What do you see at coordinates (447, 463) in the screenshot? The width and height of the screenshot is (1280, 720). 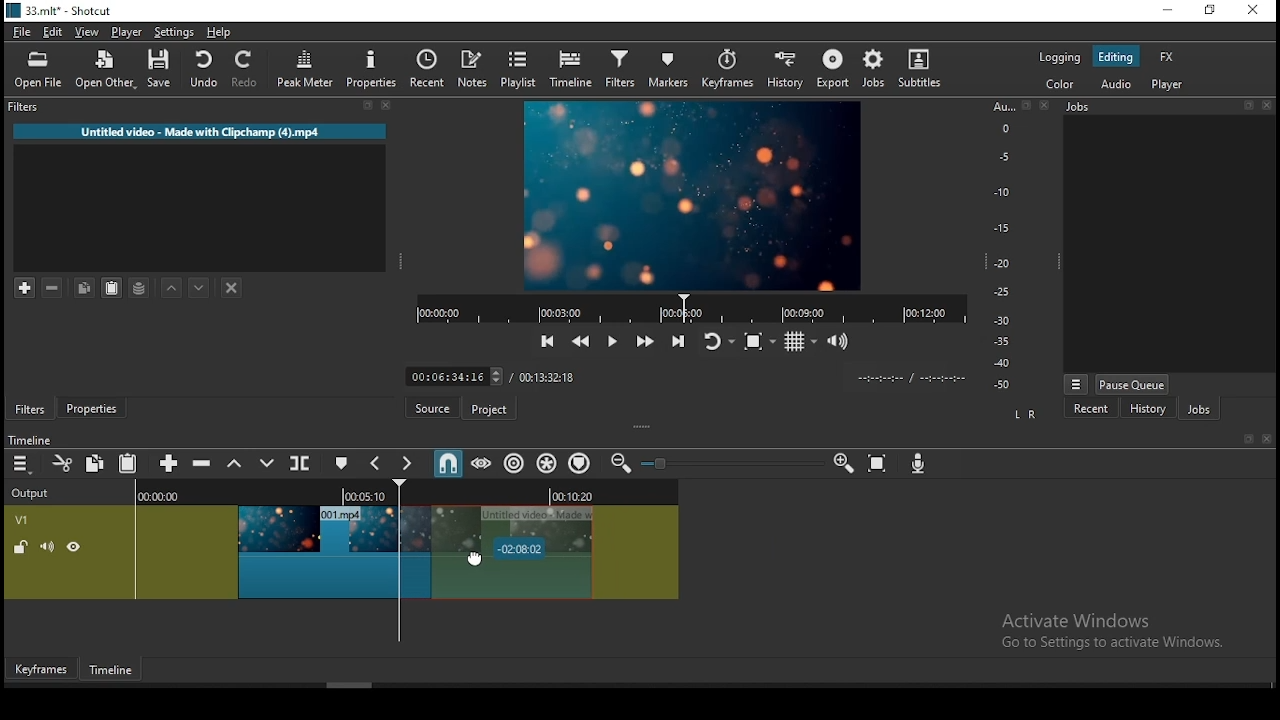 I see `snap` at bounding box center [447, 463].